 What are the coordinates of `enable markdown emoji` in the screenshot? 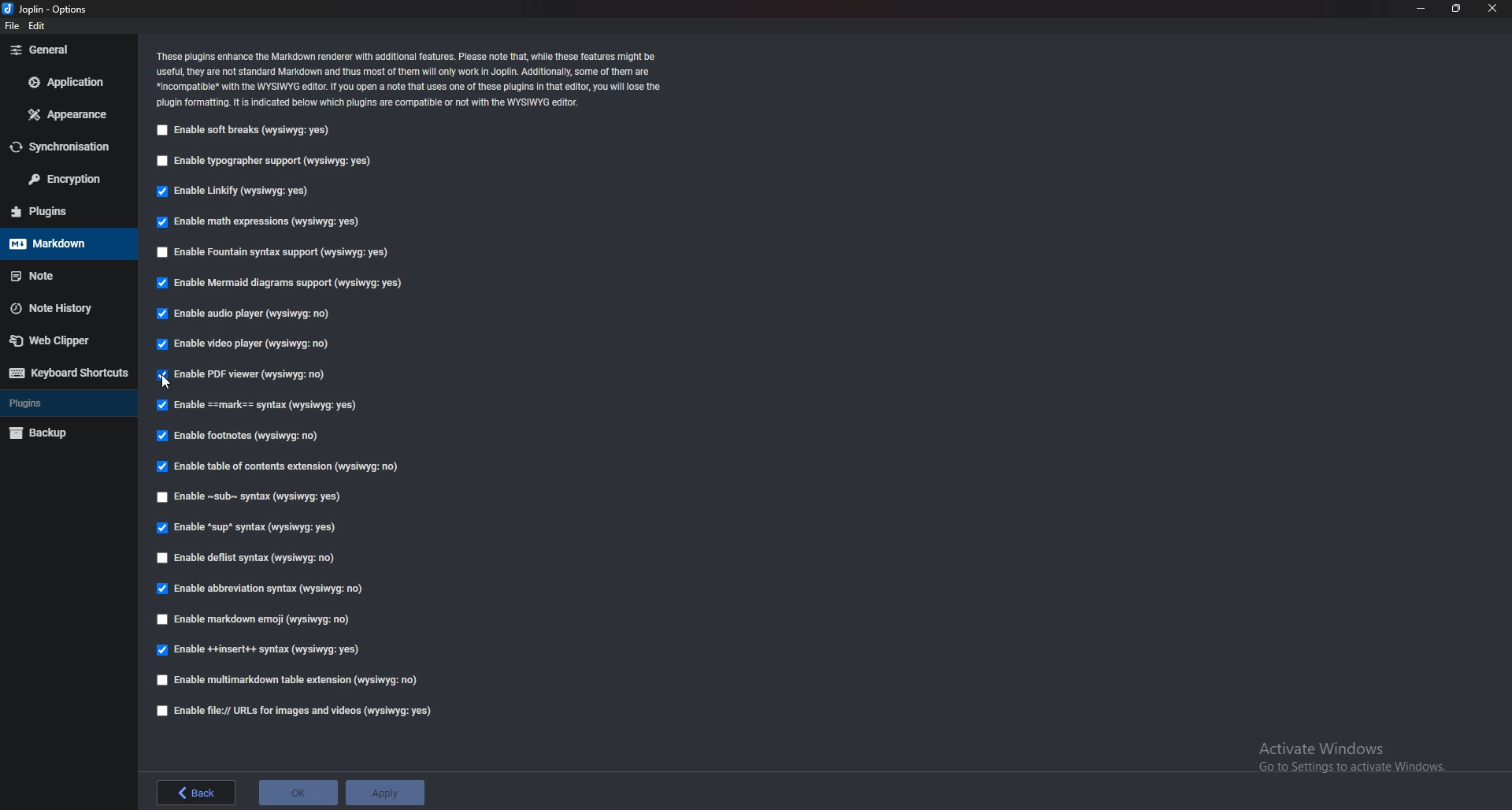 It's located at (261, 619).